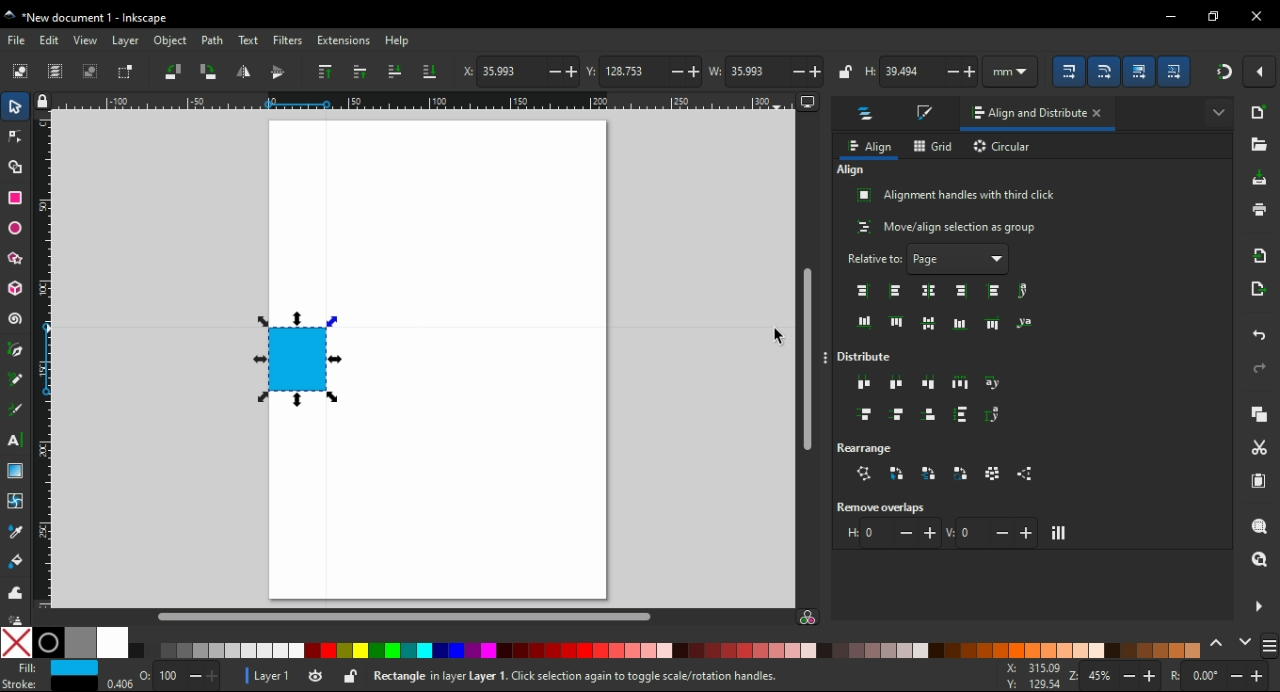 Image resolution: width=1280 pixels, height=692 pixels. What do you see at coordinates (20, 350) in the screenshot?
I see `pen tool` at bounding box center [20, 350].